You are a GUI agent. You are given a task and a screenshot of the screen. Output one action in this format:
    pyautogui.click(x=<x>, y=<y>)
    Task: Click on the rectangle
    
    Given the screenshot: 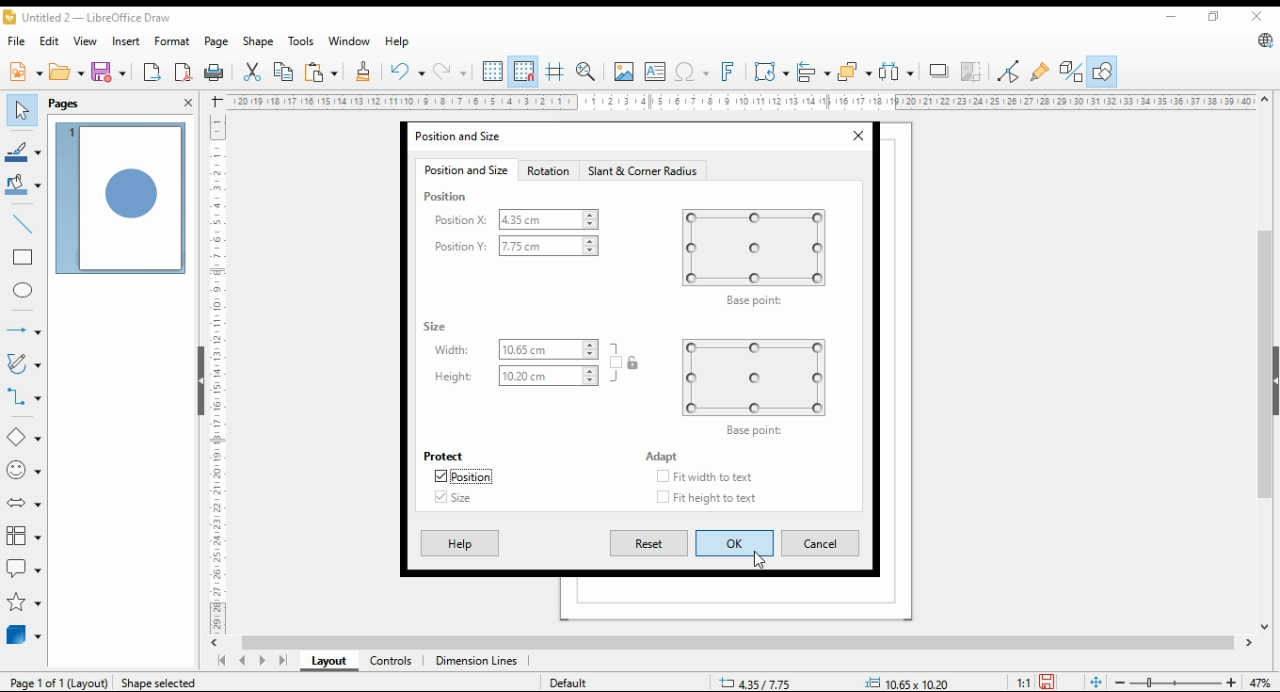 What is the action you would take?
    pyautogui.click(x=23, y=258)
    